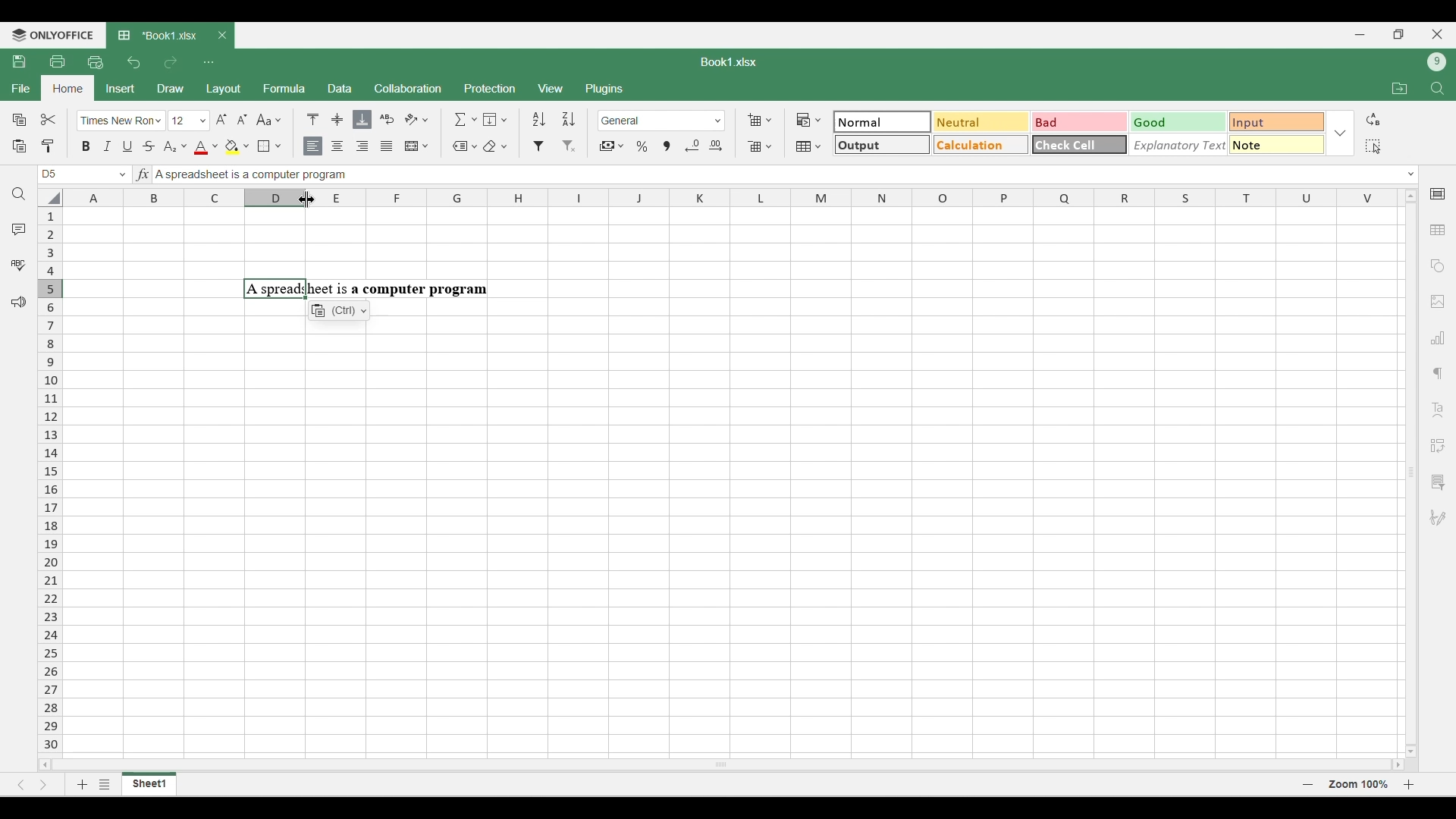 This screenshot has height=819, width=1456. I want to click on Orientation options, so click(417, 119).